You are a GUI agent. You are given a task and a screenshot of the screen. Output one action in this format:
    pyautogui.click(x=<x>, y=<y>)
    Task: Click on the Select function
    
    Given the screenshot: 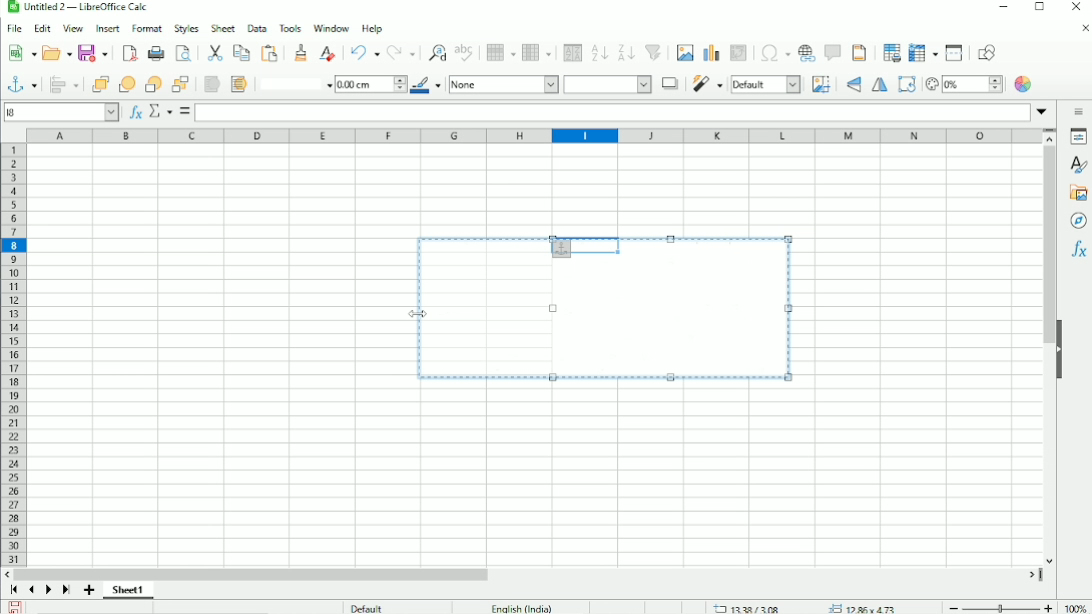 What is the action you would take?
    pyautogui.click(x=159, y=111)
    